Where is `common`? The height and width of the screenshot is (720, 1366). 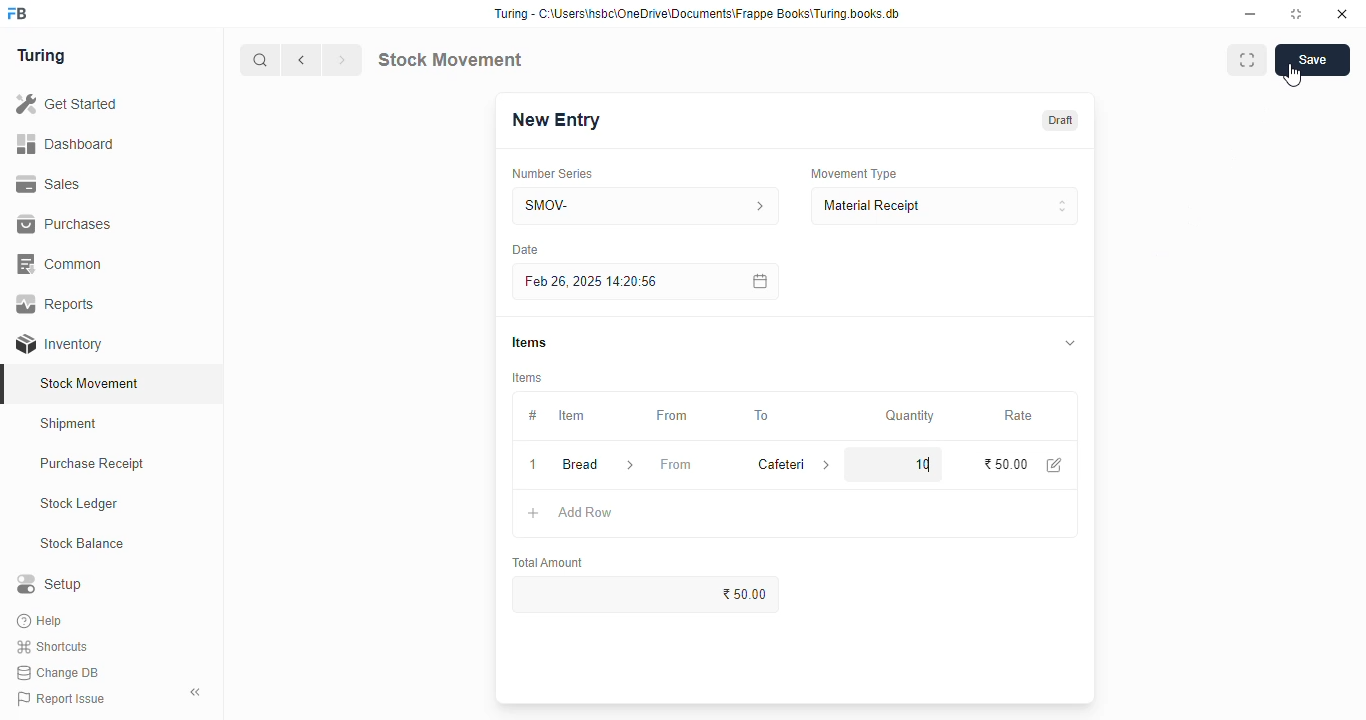 common is located at coordinates (62, 264).